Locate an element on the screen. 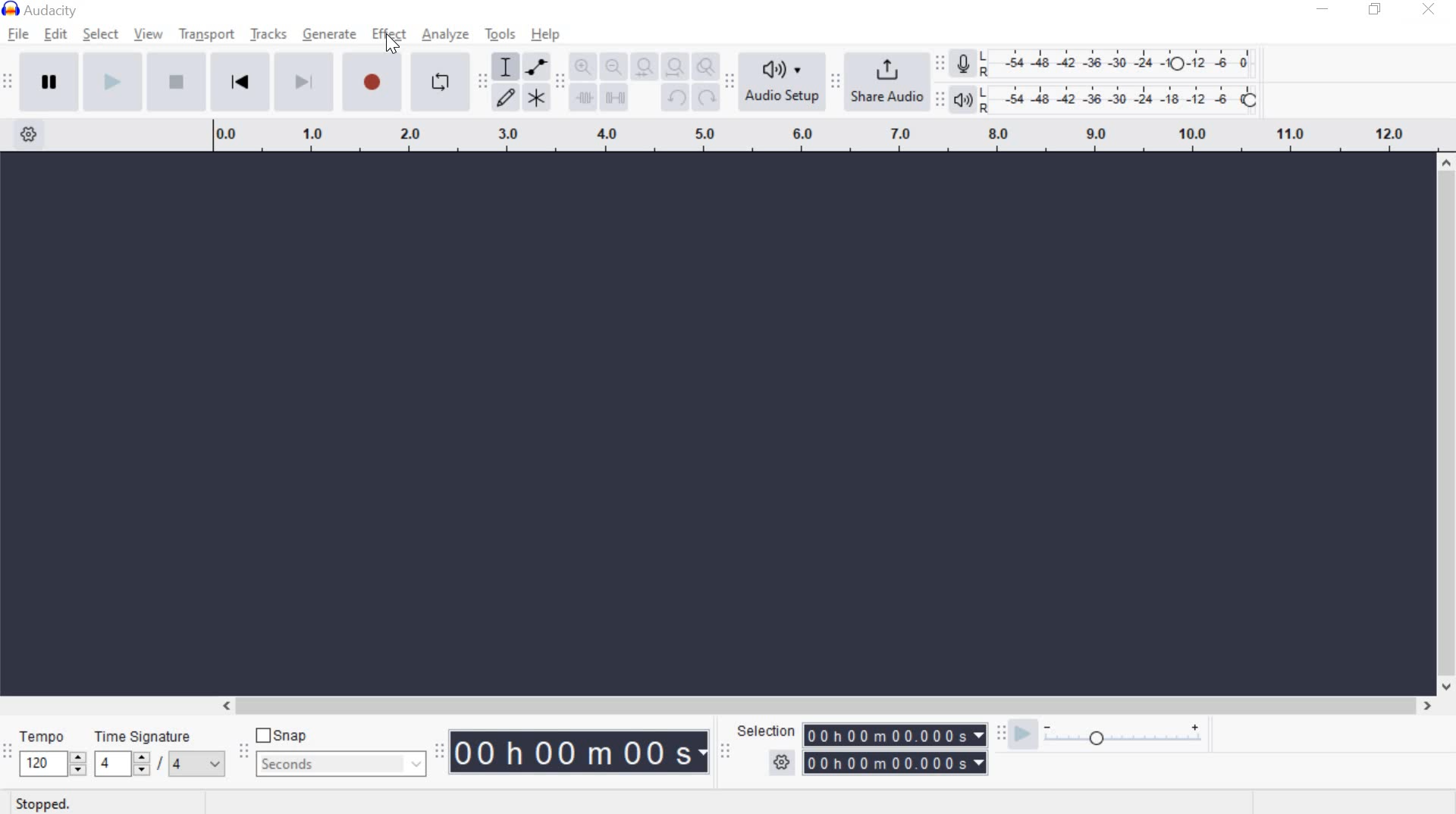 The image size is (1456, 814). select is located at coordinates (100, 33).